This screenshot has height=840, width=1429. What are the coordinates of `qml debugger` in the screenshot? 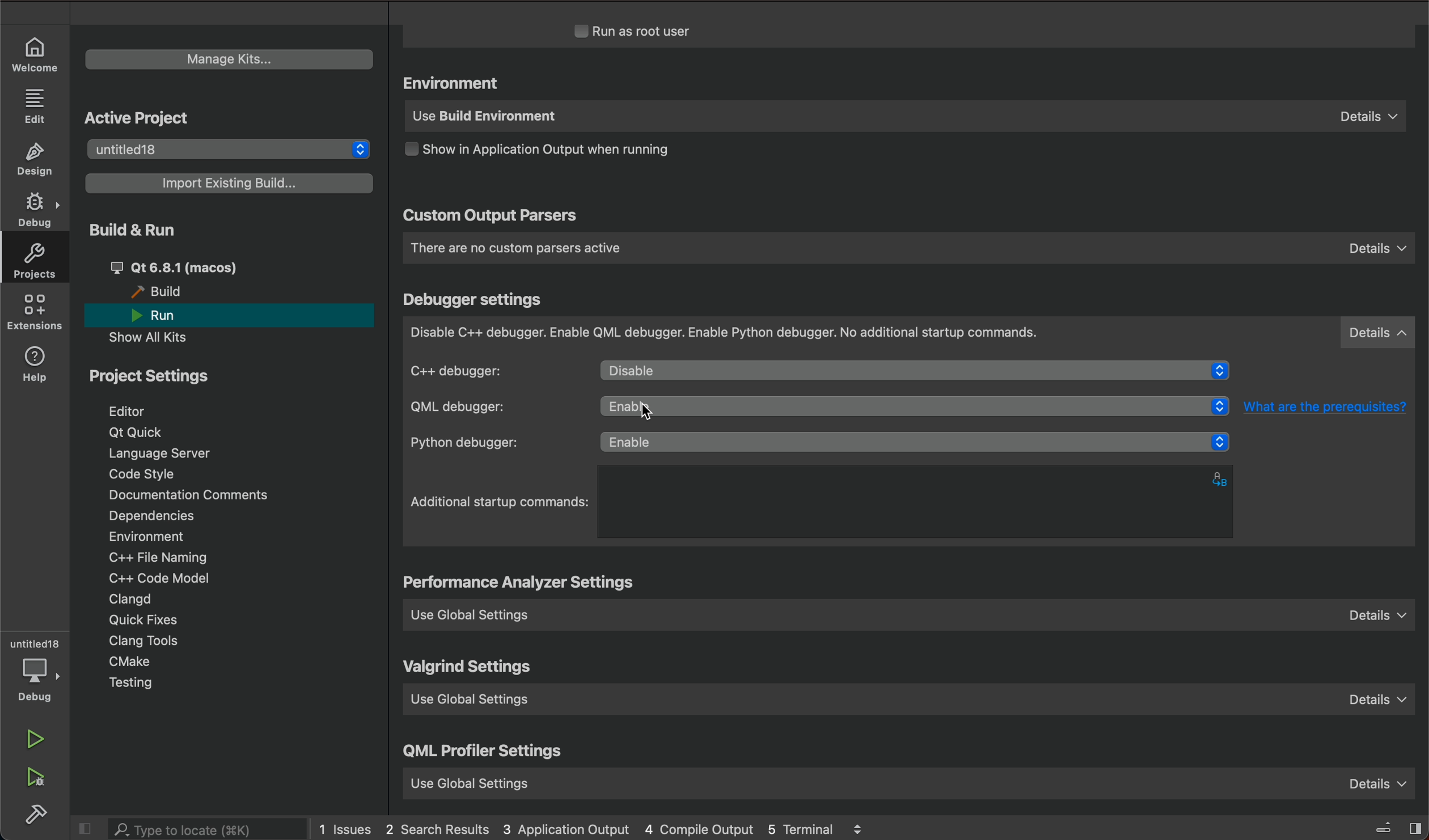 It's located at (485, 407).